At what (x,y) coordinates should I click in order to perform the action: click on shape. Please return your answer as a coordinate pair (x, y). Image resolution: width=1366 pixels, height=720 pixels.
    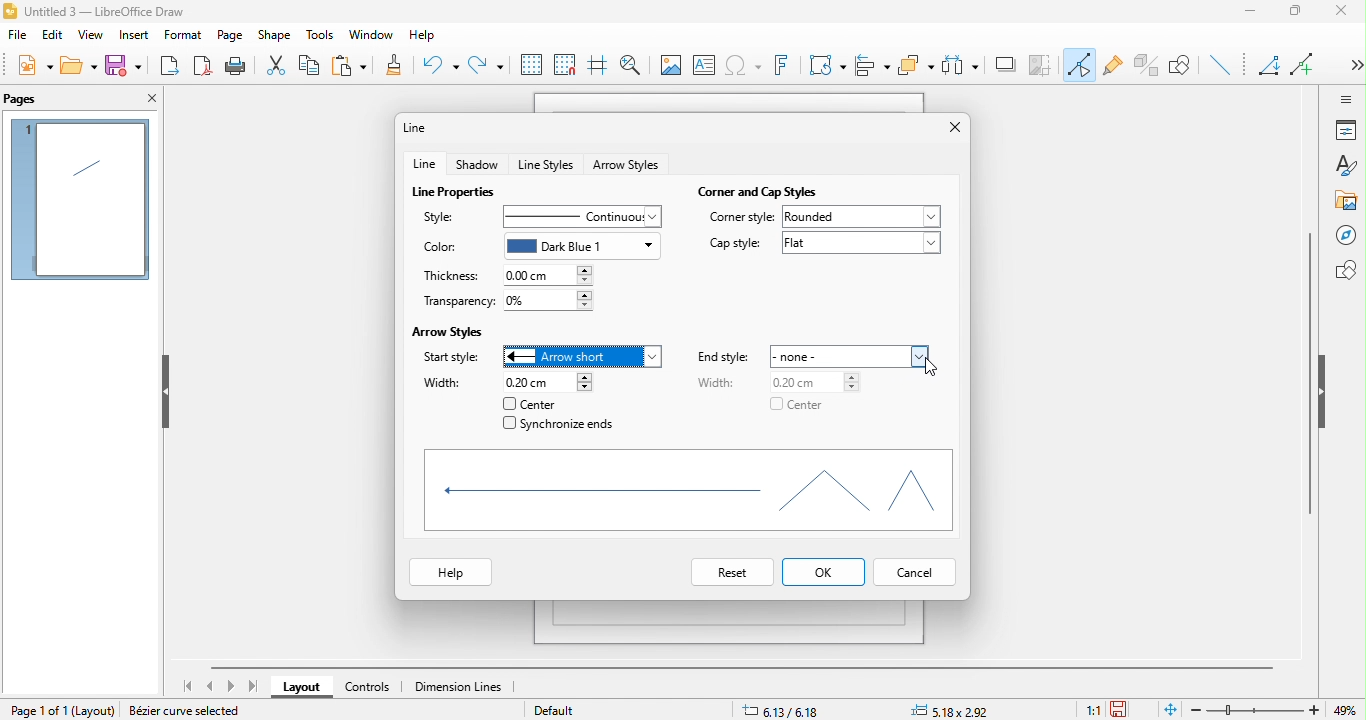
    Looking at the image, I should click on (275, 36).